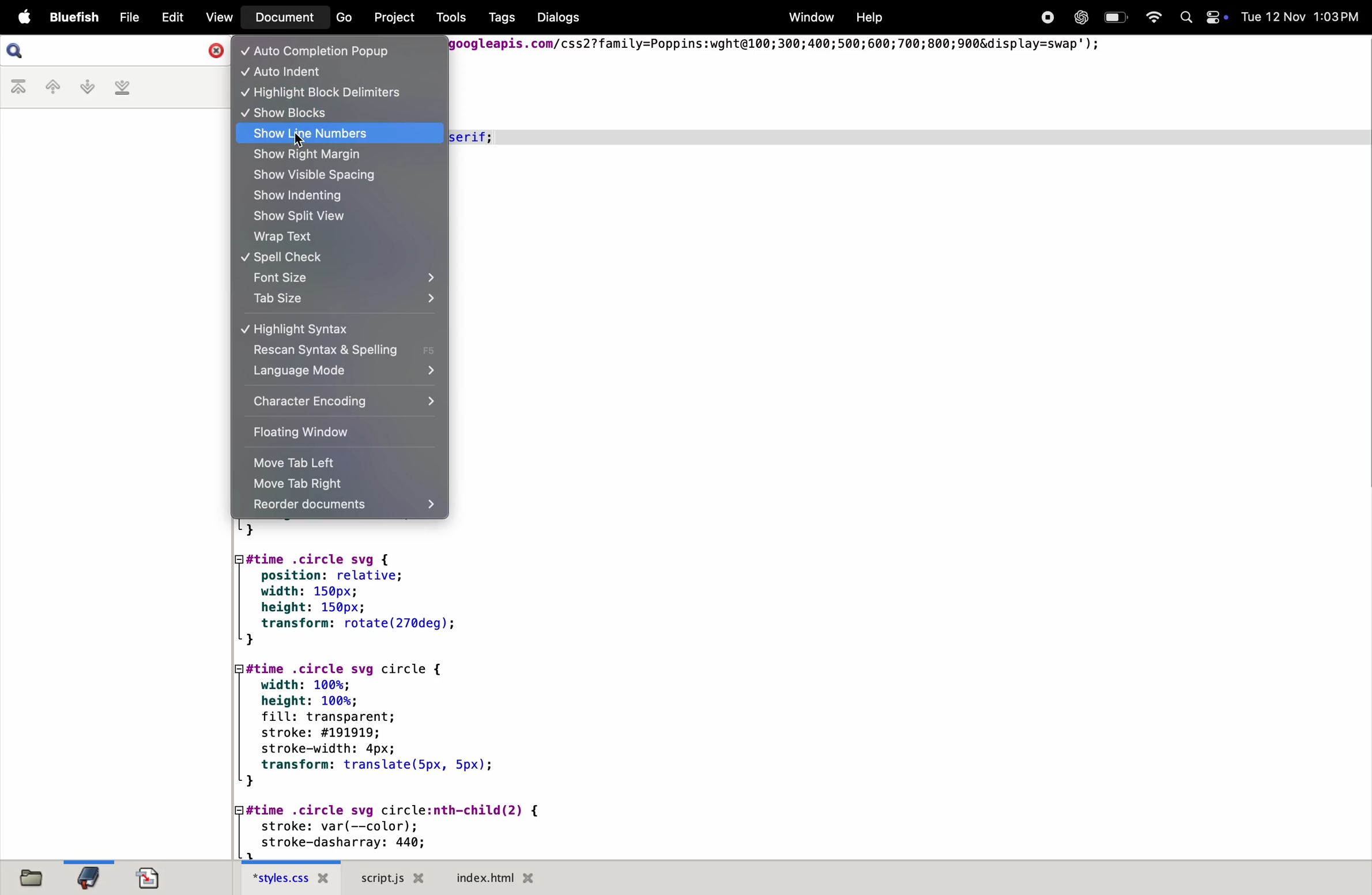  I want to click on move tab right, so click(340, 484).